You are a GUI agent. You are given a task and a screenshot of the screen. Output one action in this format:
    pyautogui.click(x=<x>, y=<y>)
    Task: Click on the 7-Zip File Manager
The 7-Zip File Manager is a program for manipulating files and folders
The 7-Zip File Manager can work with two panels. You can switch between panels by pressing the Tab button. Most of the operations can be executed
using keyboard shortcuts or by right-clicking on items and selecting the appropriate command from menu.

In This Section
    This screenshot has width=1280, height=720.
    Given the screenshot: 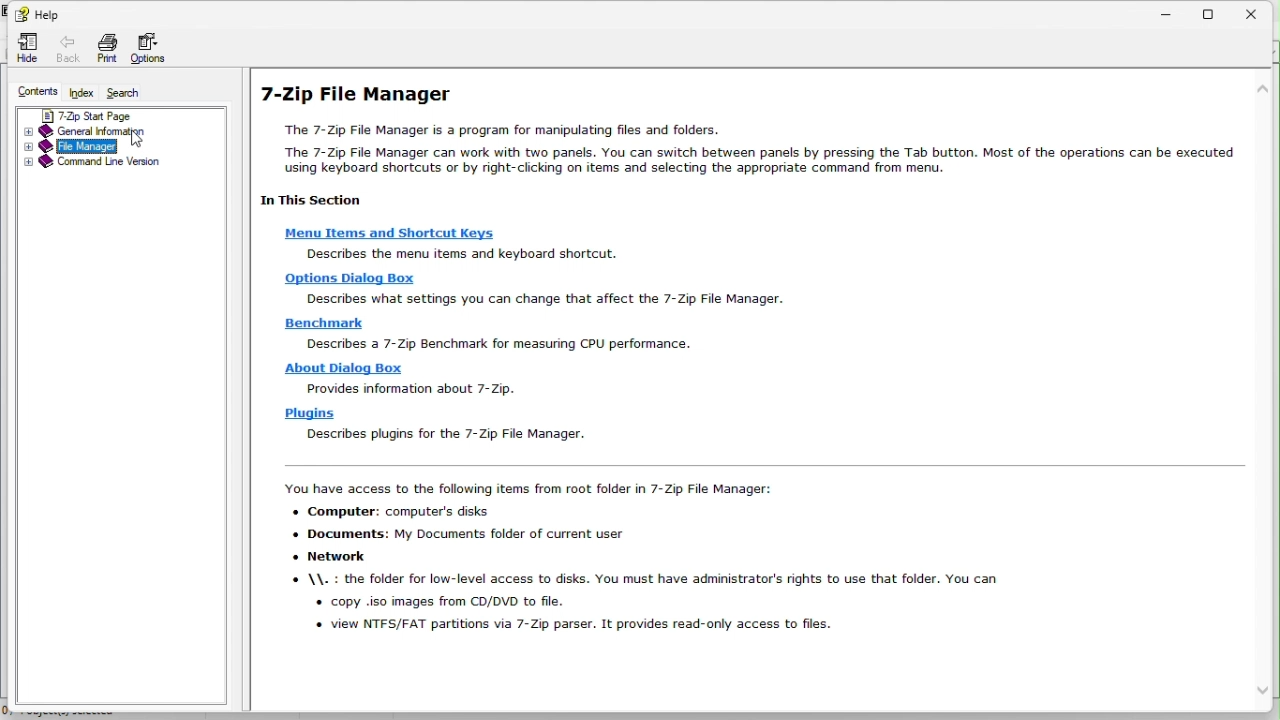 What is the action you would take?
    pyautogui.click(x=746, y=145)
    